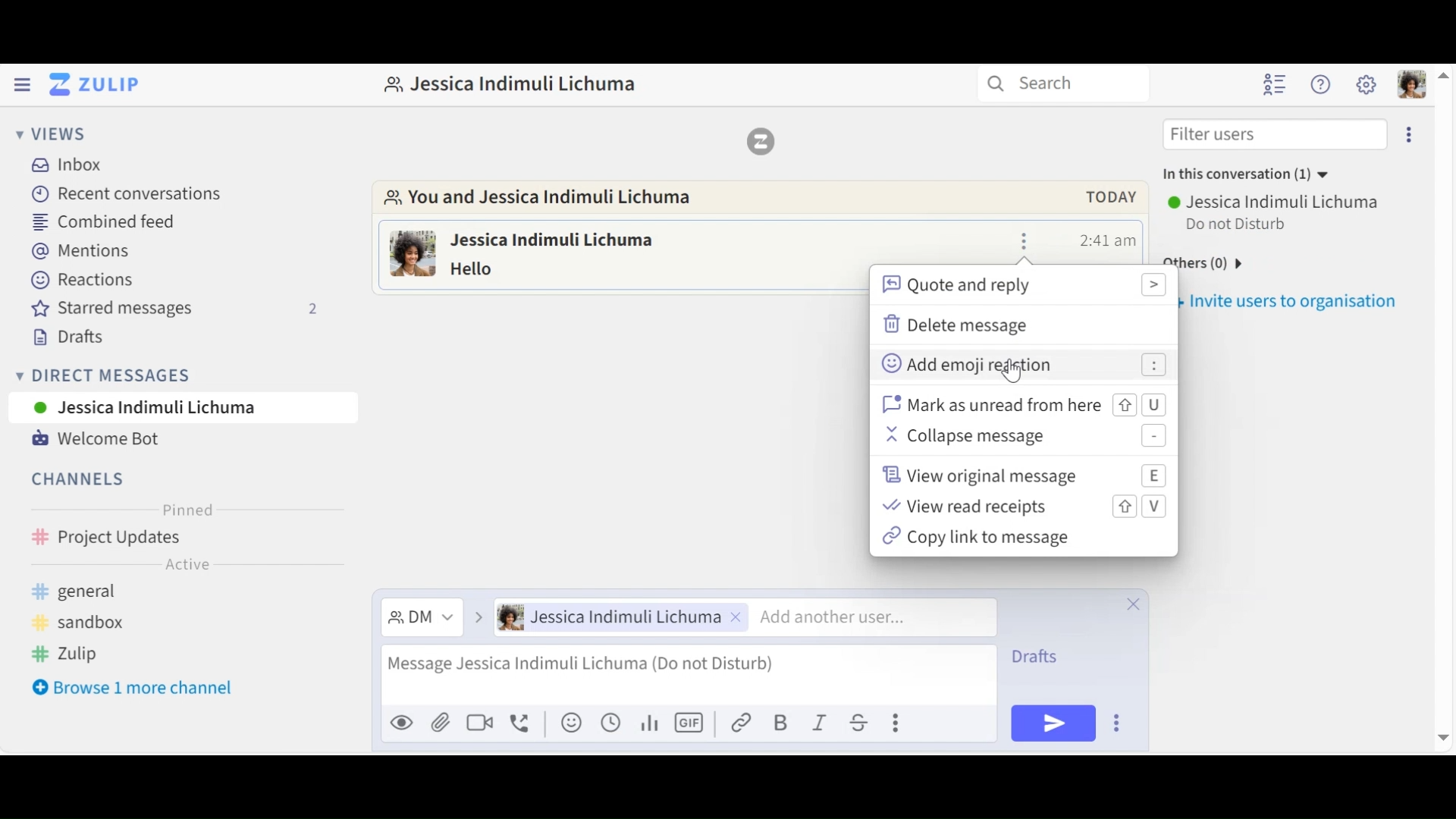  I want to click on Compose Message, so click(688, 677).